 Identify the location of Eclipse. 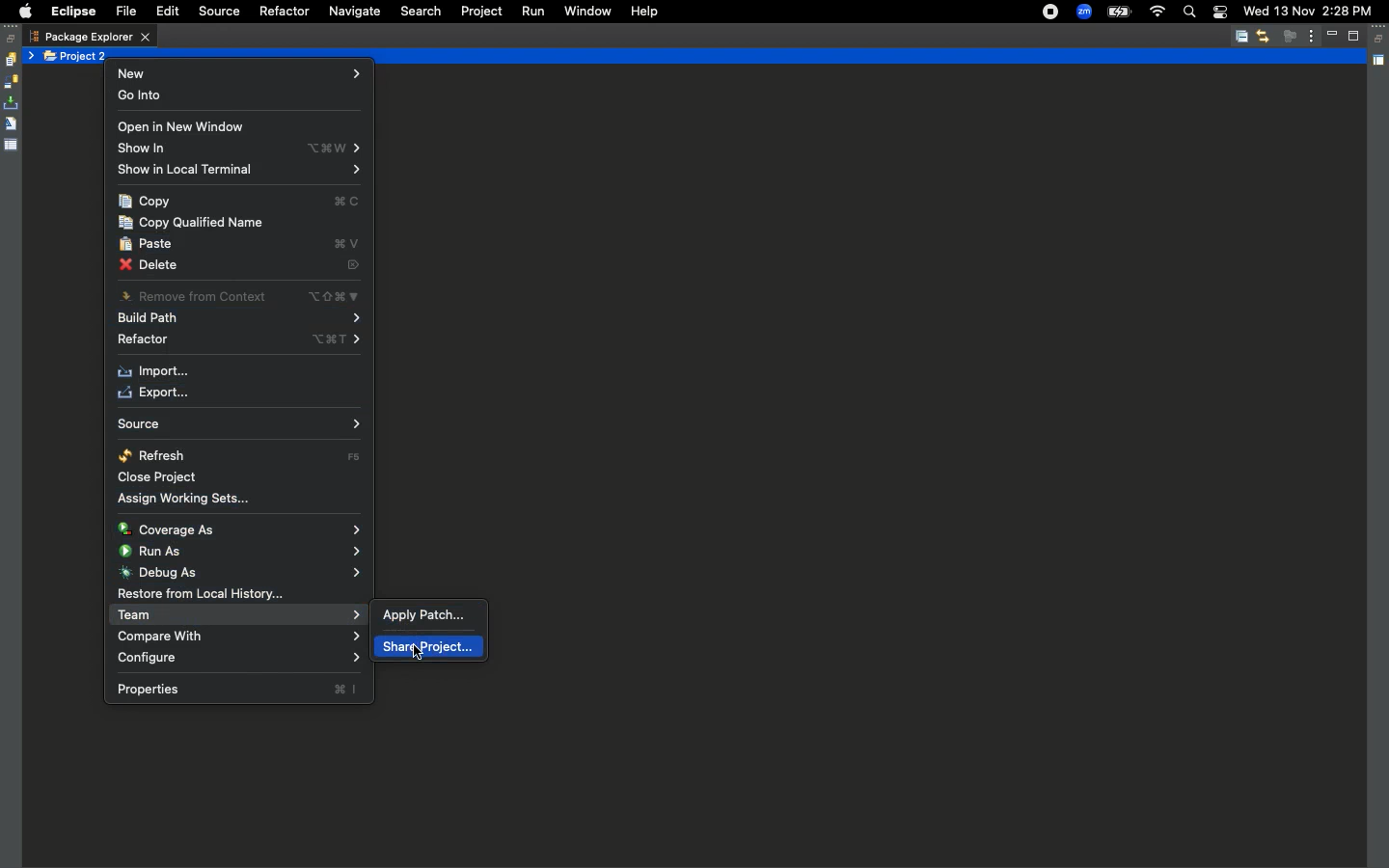
(72, 12).